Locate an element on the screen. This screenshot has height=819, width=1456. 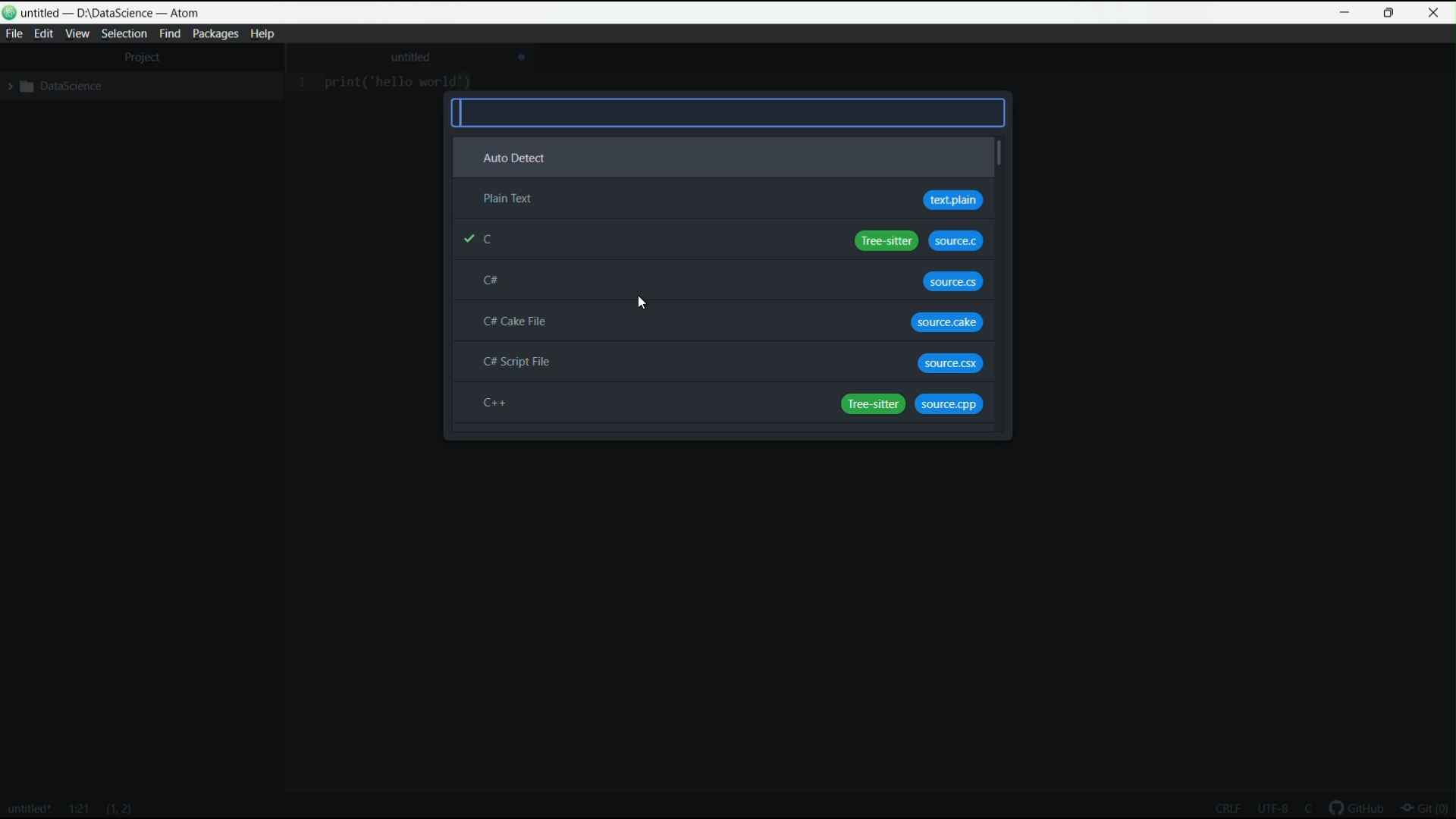
c# script file is located at coordinates (516, 362).